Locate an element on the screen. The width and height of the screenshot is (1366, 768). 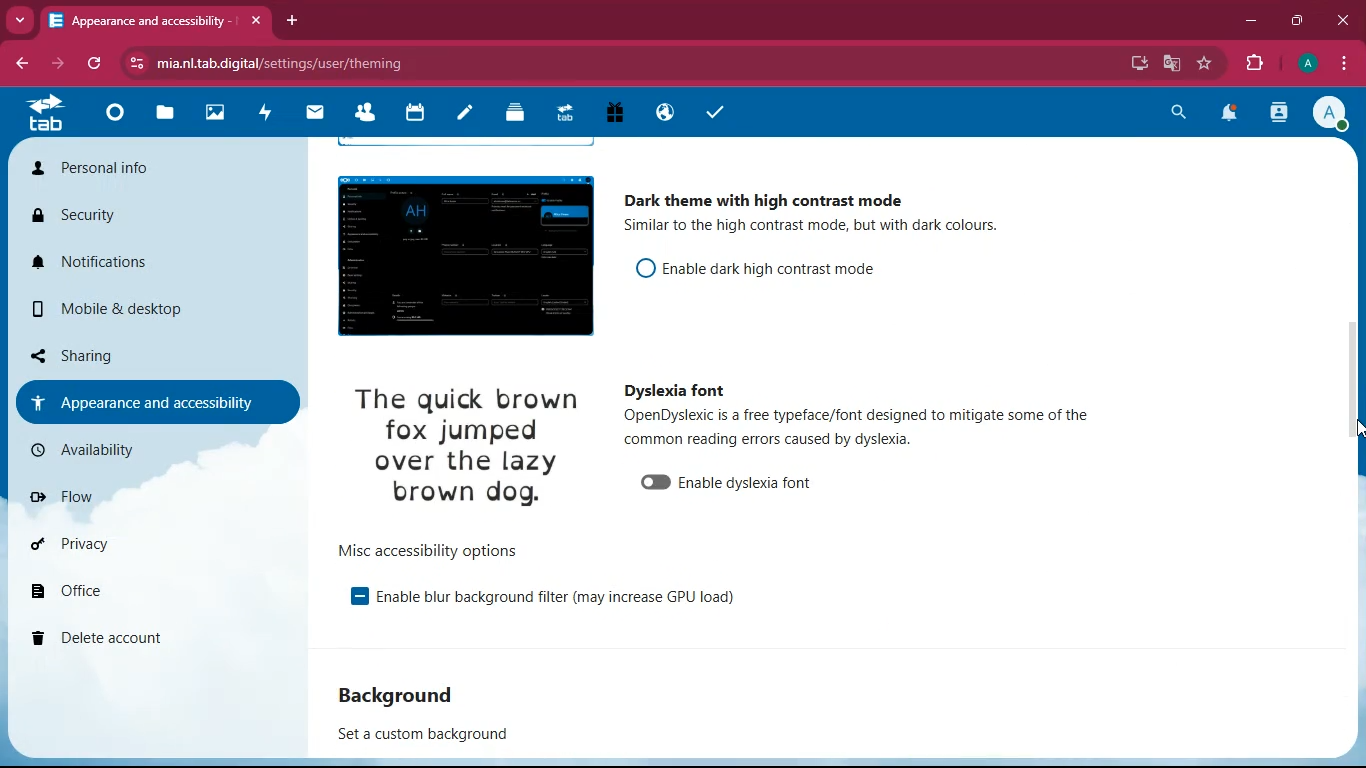
friends is located at coordinates (371, 112).